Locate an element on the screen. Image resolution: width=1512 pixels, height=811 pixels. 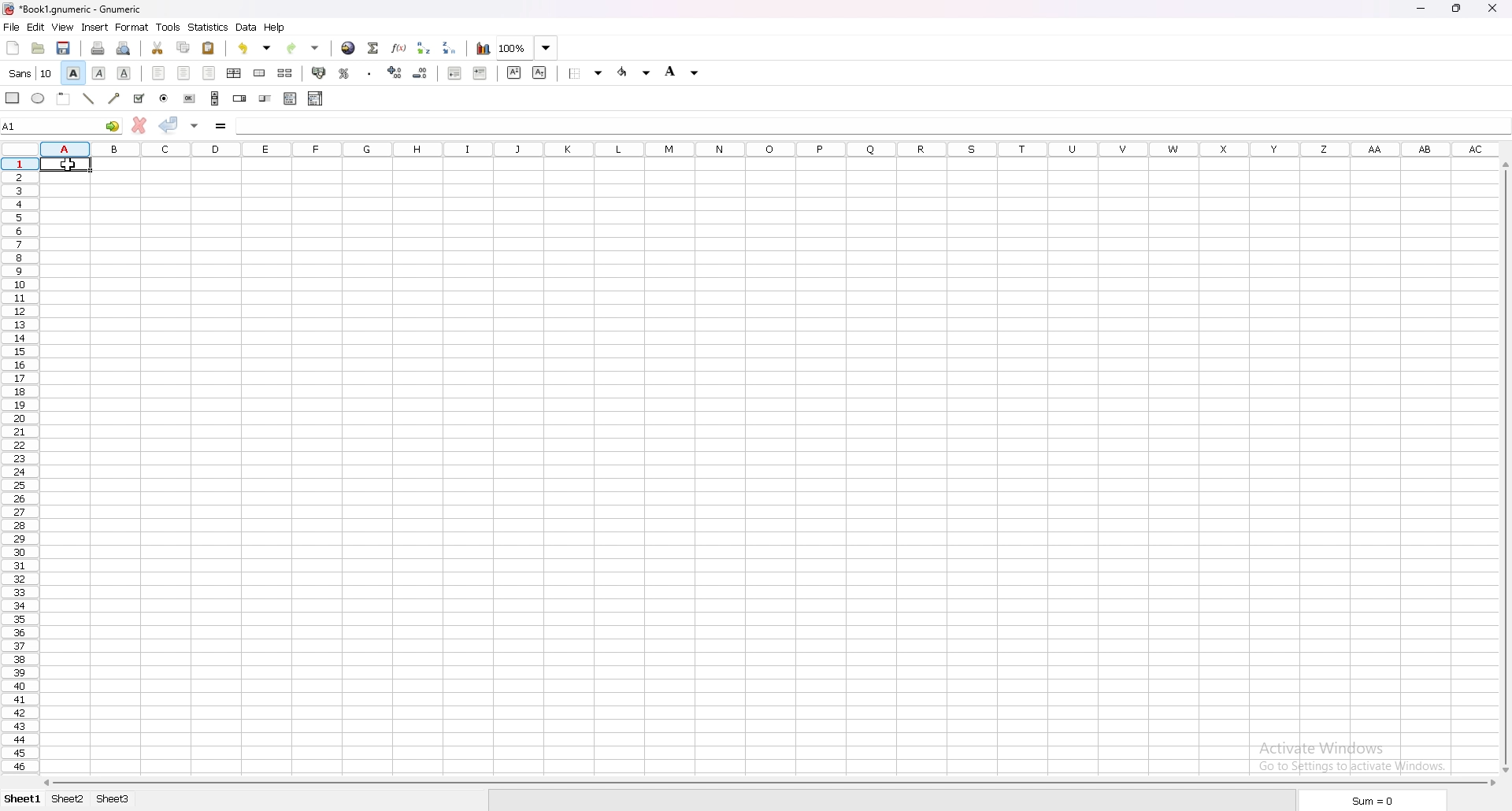
cut is located at coordinates (158, 47).